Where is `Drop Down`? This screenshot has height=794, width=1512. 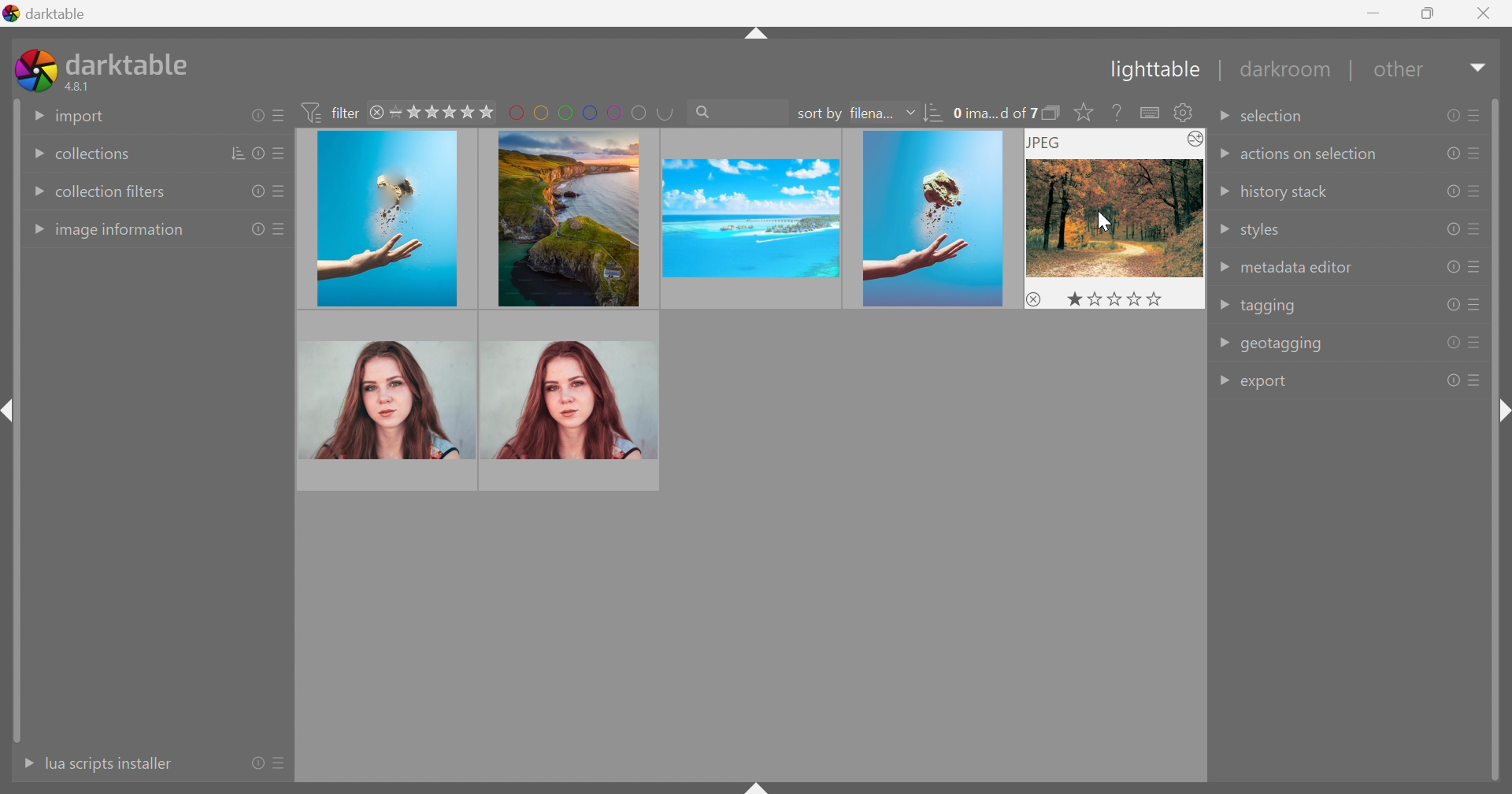 Drop Down is located at coordinates (1221, 193).